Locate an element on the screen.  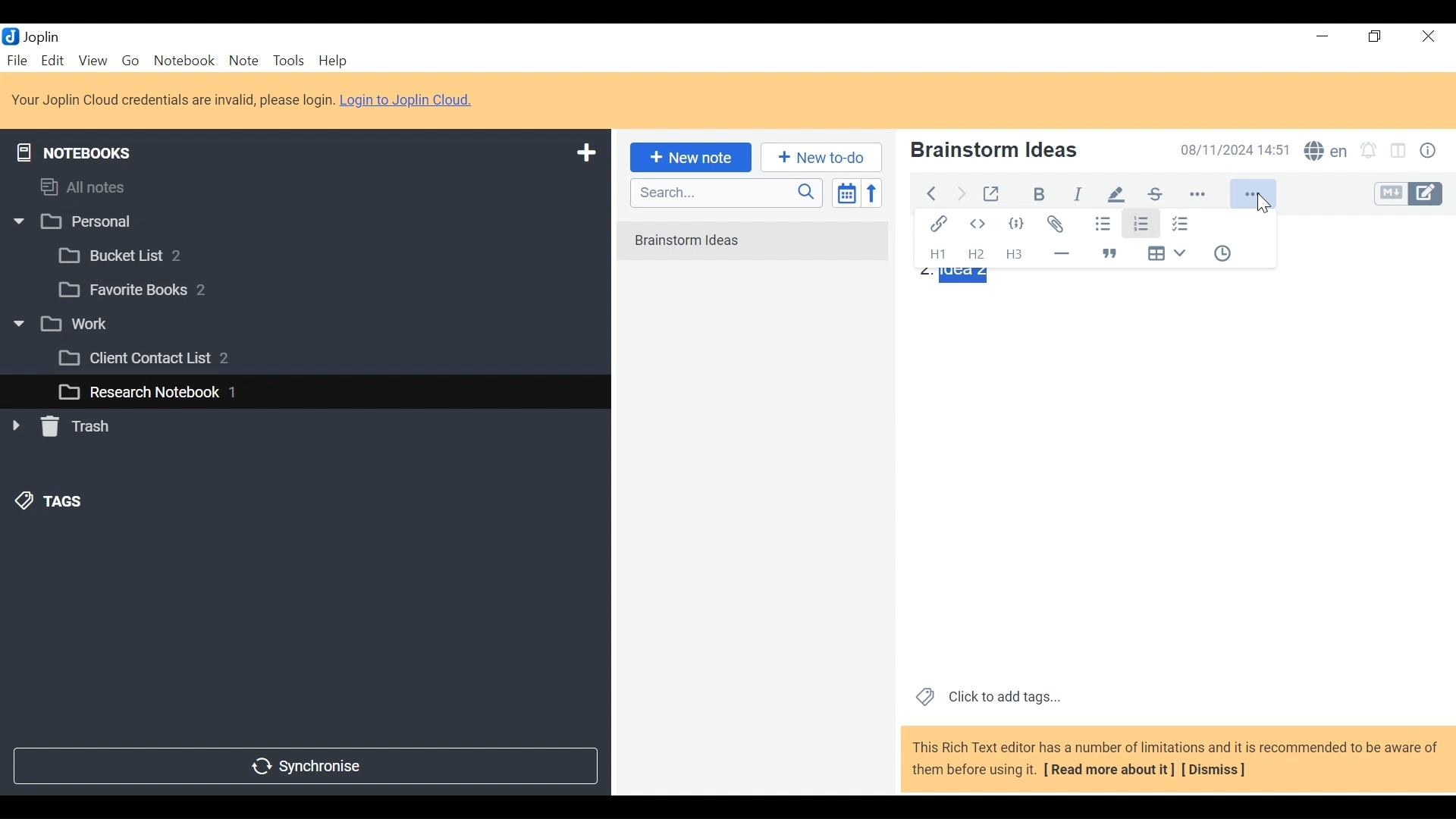
Bold is located at coordinates (1032, 192).